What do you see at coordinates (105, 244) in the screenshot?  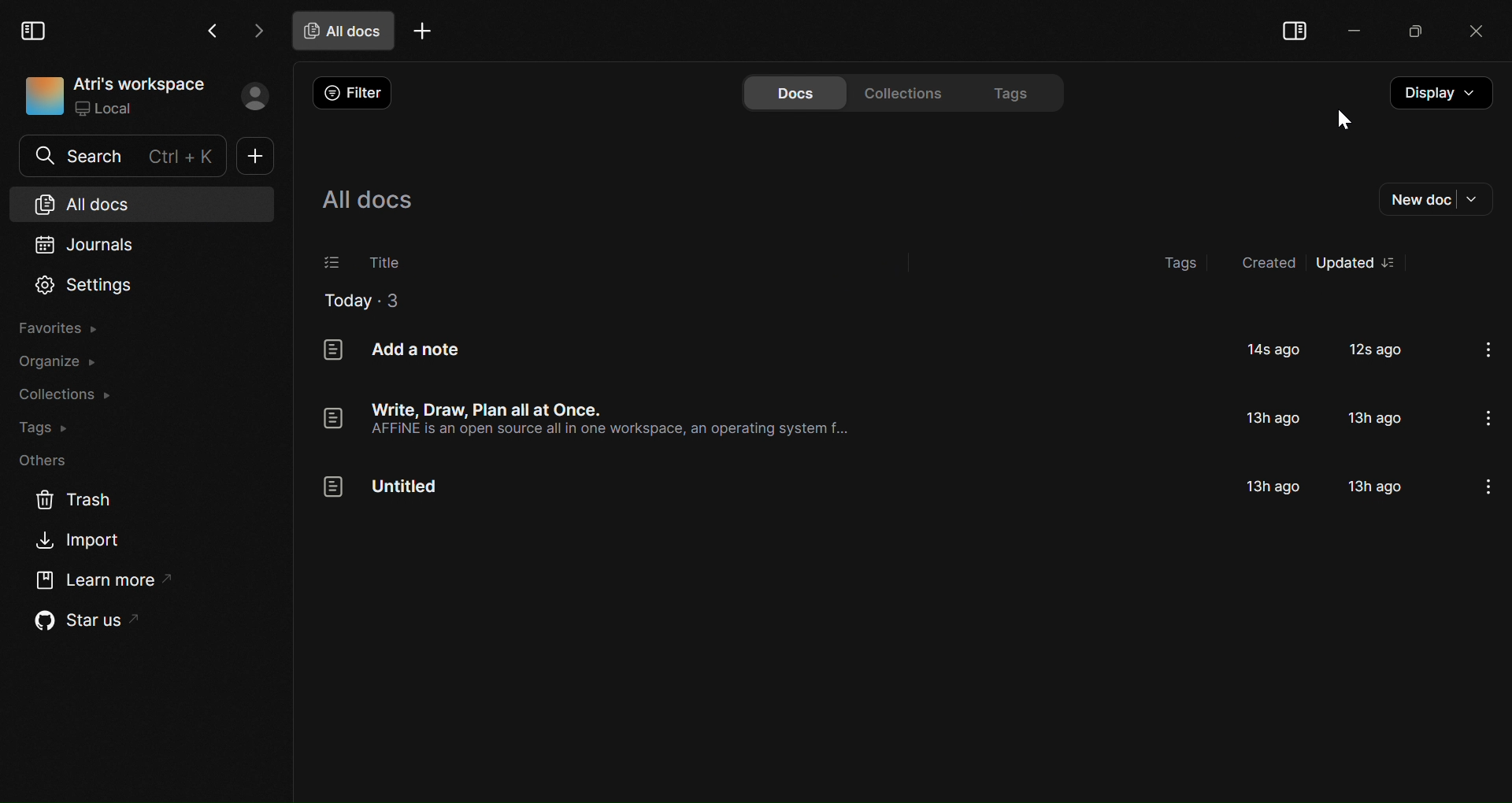 I see `Journals` at bounding box center [105, 244].